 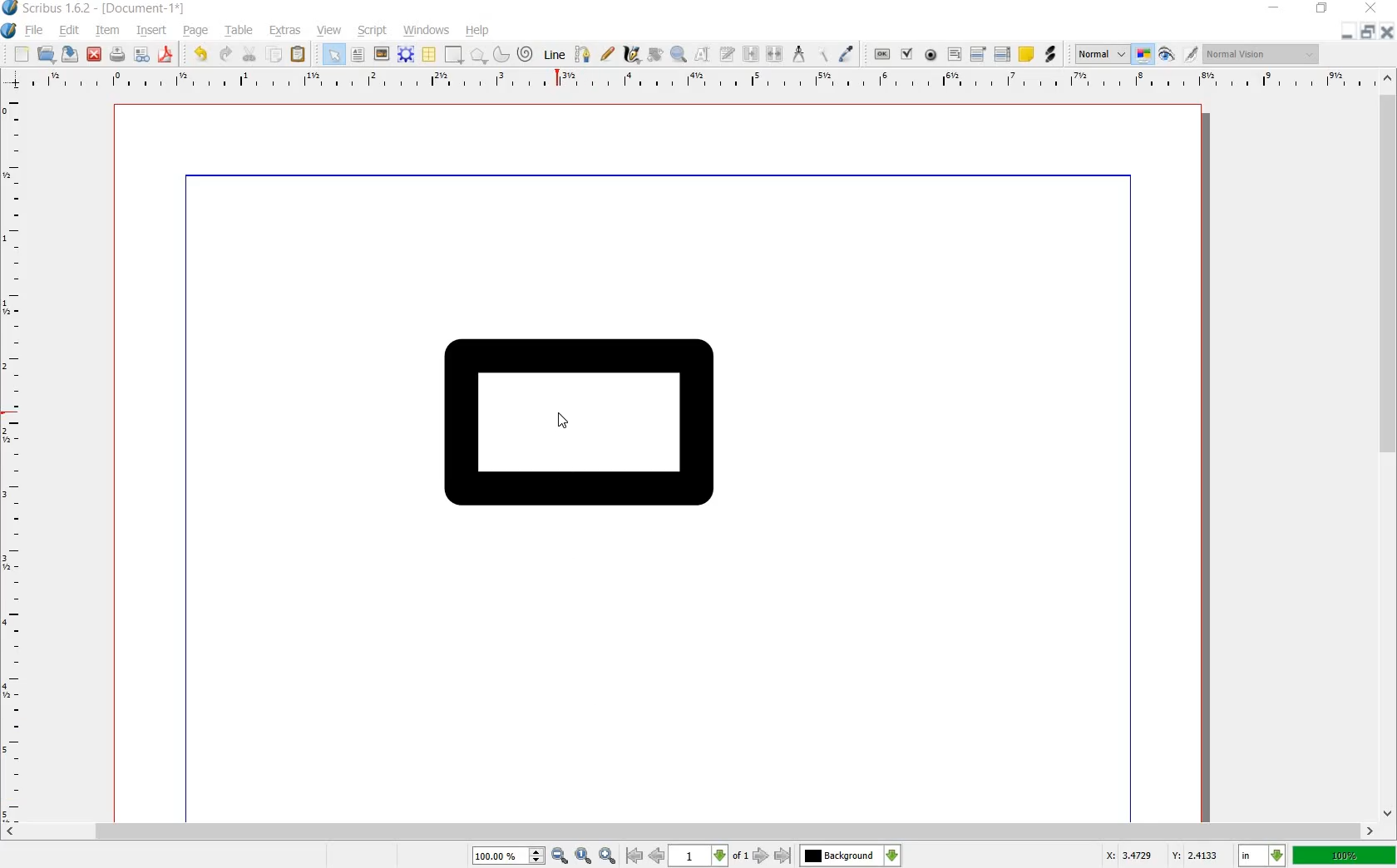 What do you see at coordinates (1004, 55) in the screenshot?
I see `pdf list box` at bounding box center [1004, 55].